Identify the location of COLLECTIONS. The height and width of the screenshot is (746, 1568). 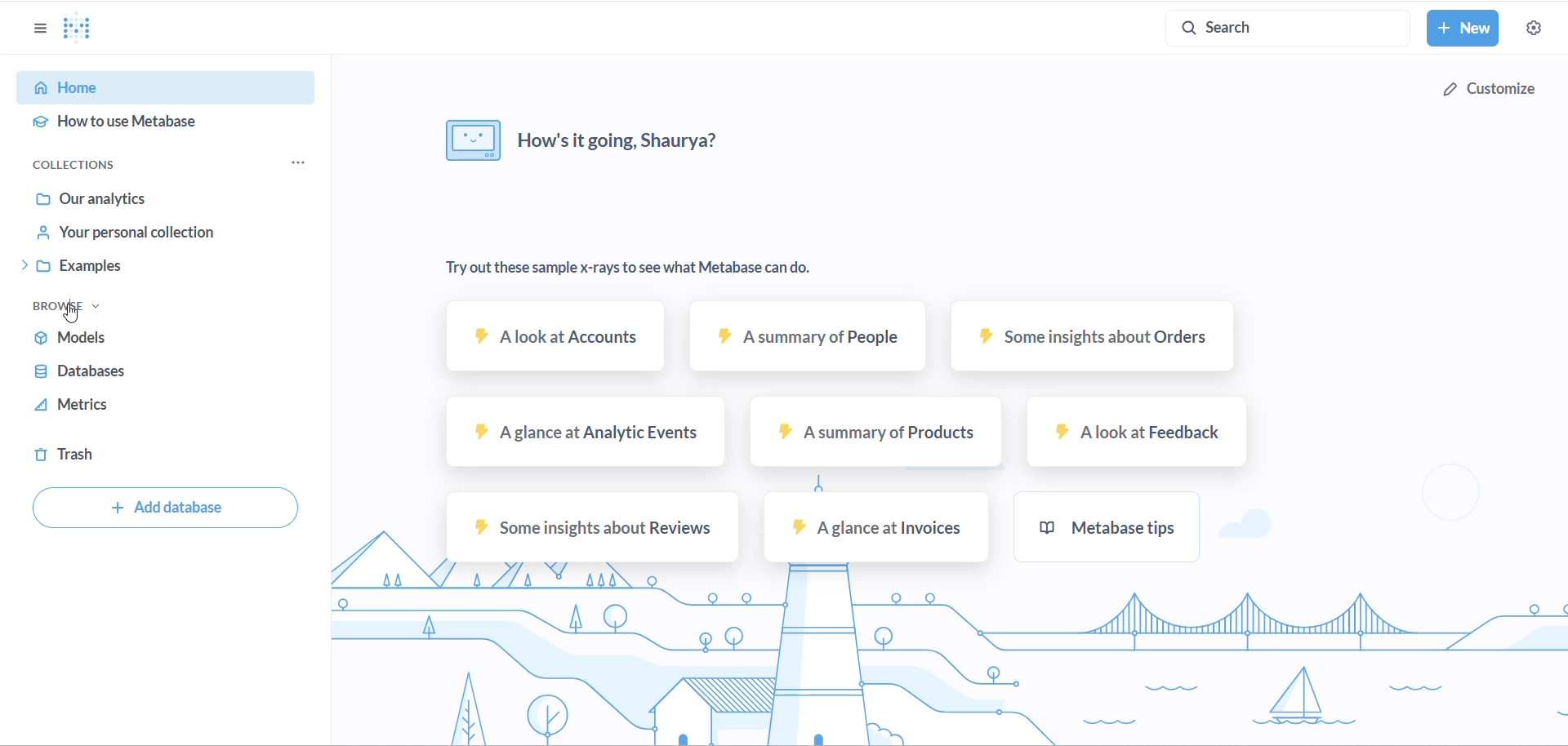
(100, 163).